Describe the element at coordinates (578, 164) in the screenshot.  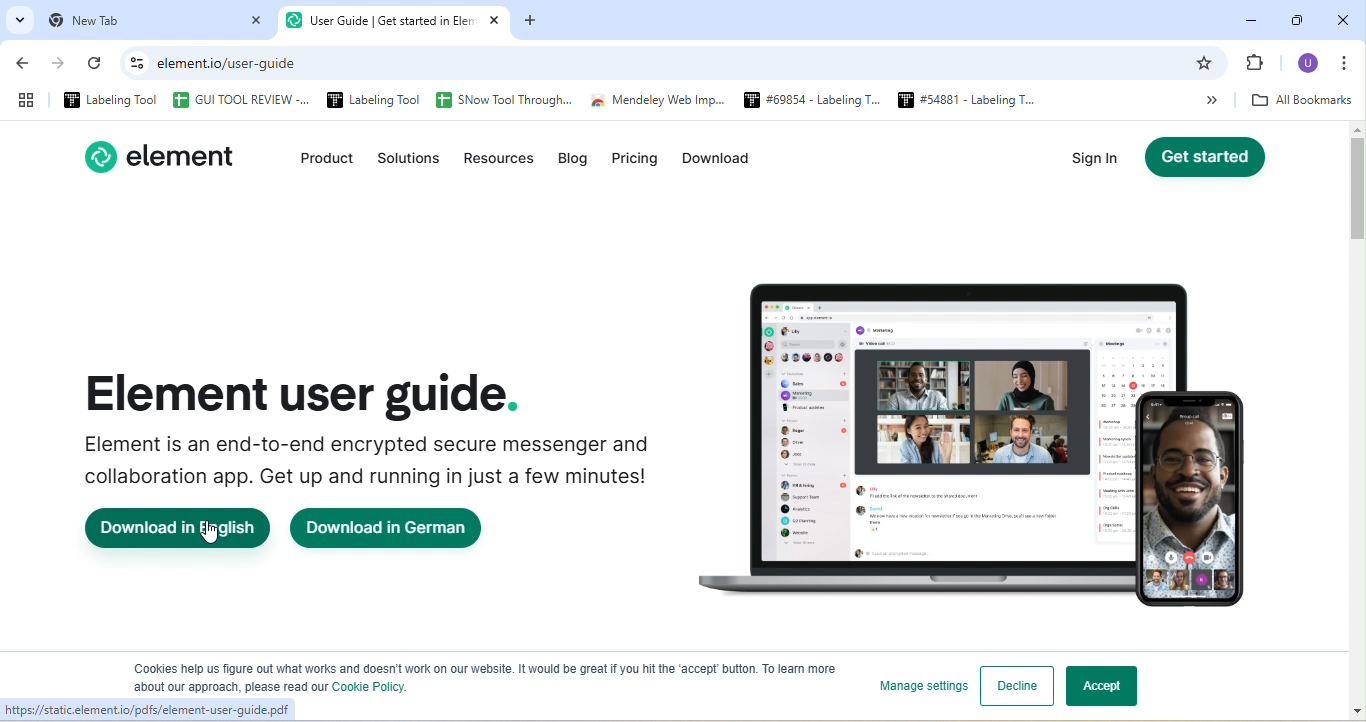
I see `blog` at that location.